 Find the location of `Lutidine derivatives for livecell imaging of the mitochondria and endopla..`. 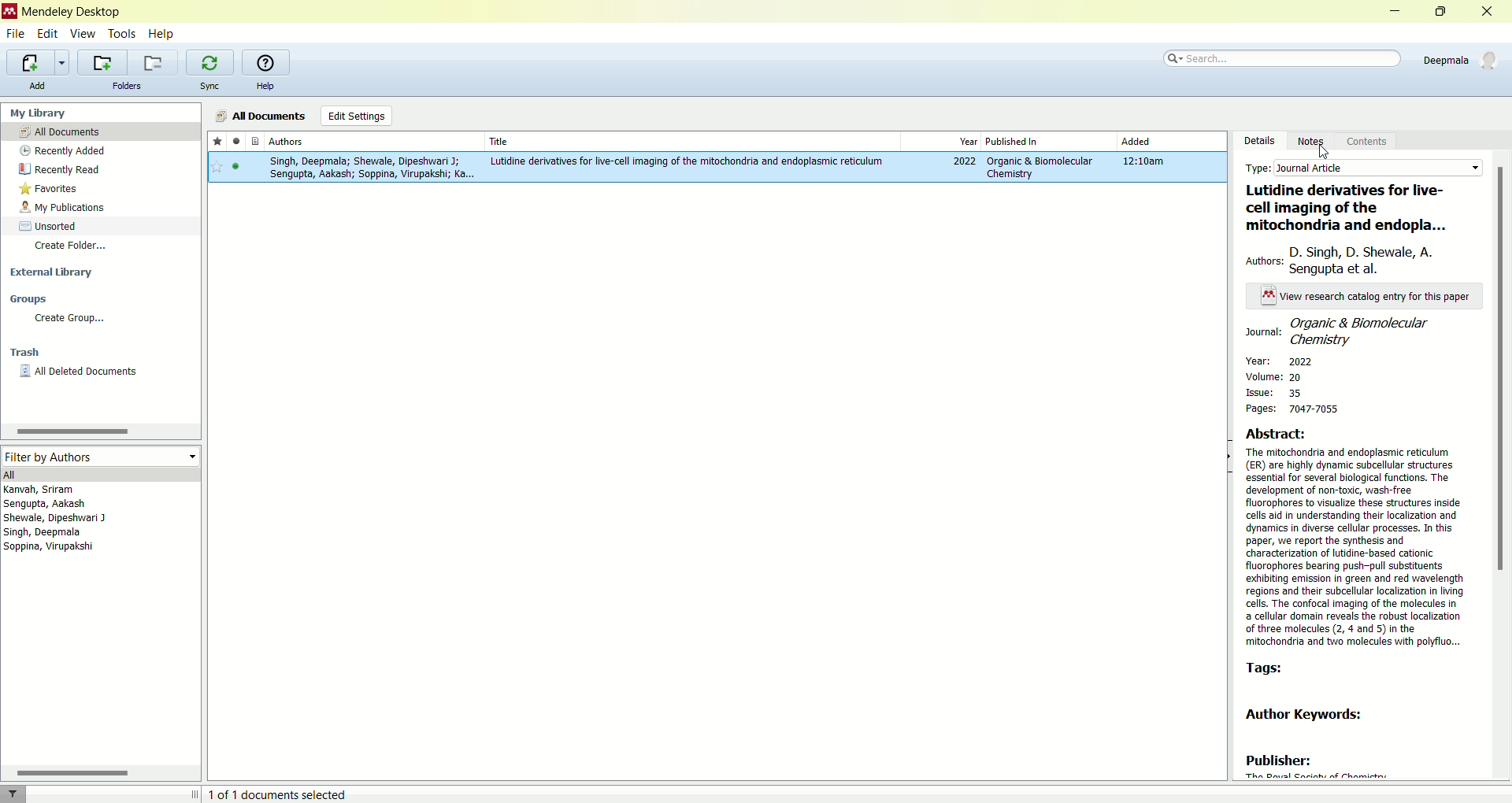

Lutidine derivatives for livecell imaging of the mitochondria and endopla.. is located at coordinates (1358, 208).